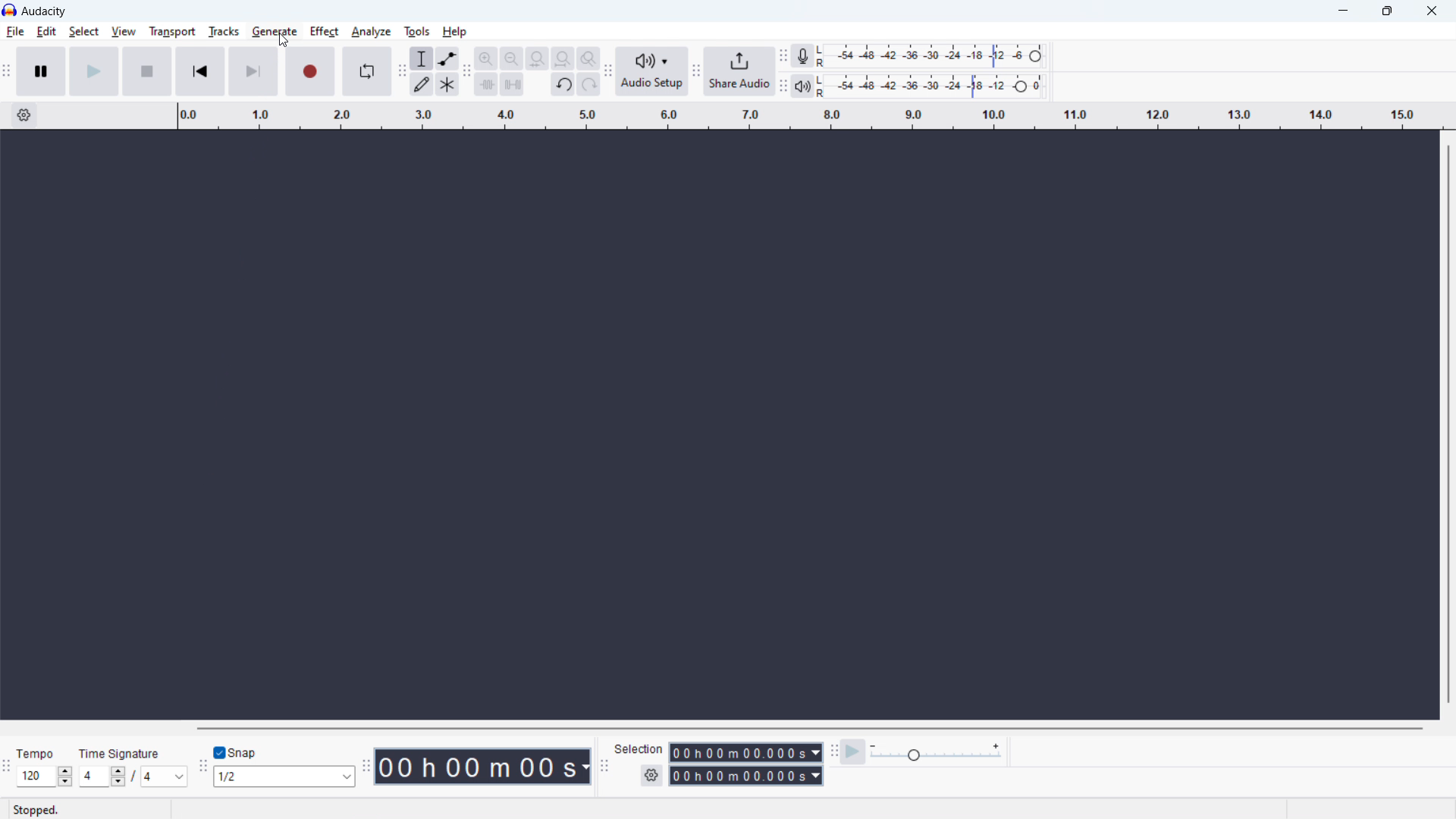  I want to click on vertical scrollbar, so click(1449, 422).